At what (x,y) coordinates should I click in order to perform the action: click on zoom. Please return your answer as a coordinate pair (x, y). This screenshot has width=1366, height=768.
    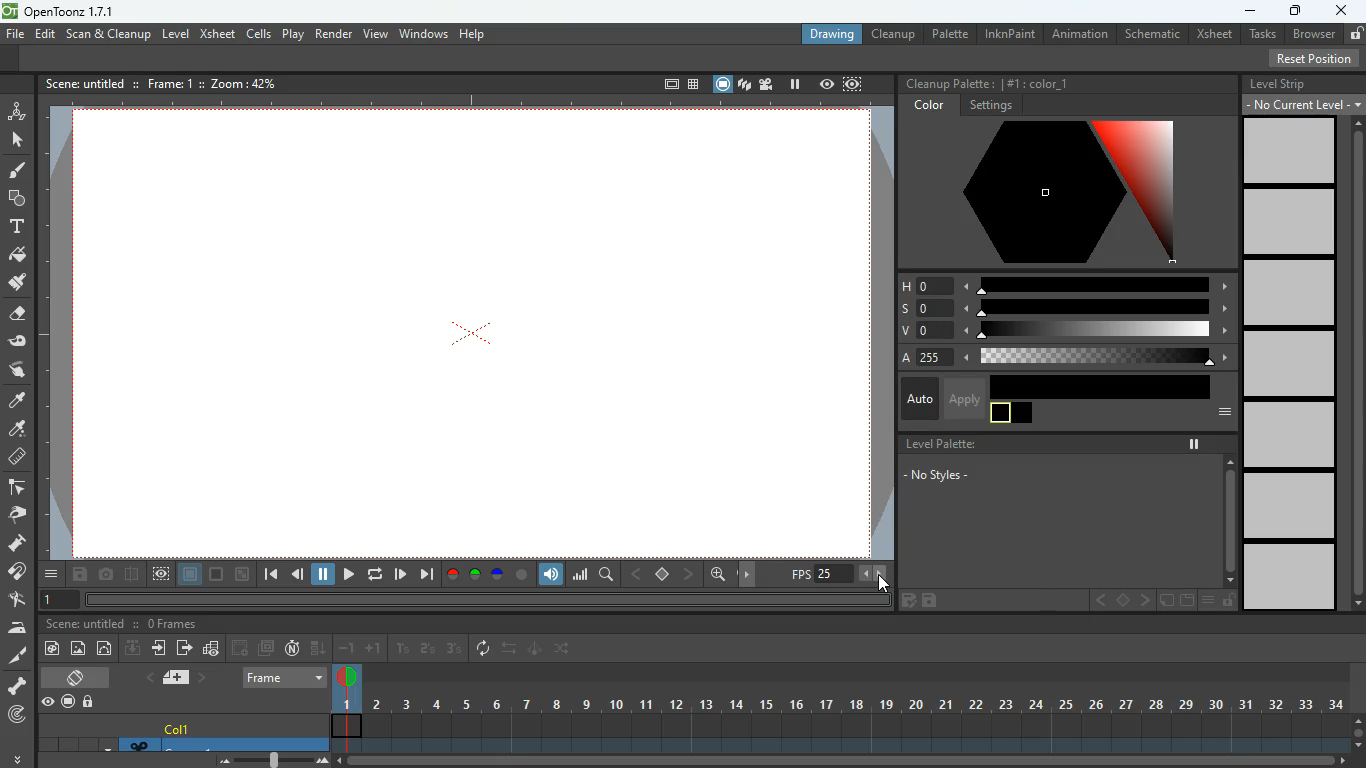
    Looking at the image, I should click on (719, 573).